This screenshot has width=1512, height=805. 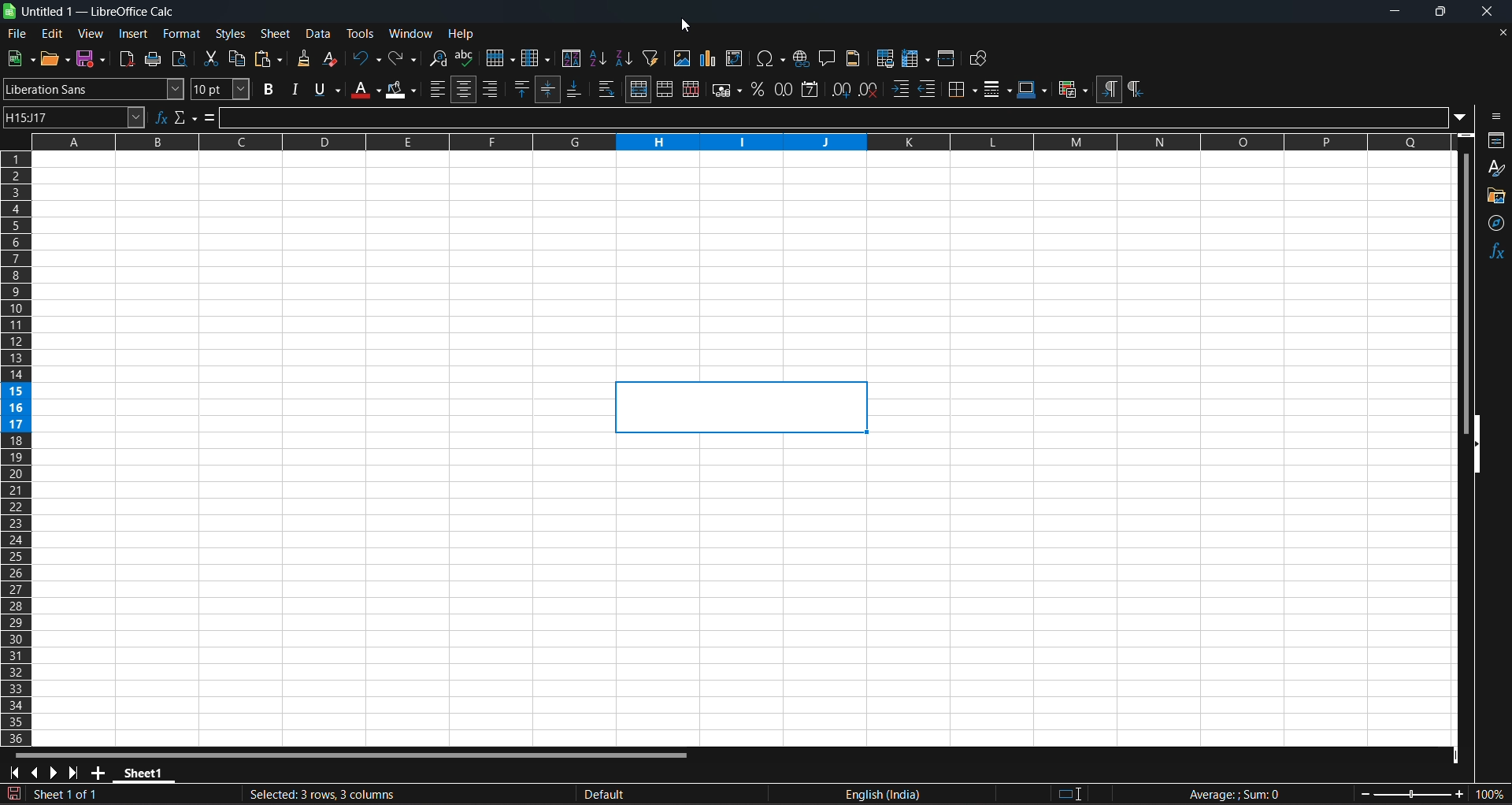 I want to click on horizontal scroll bar, so click(x=357, y=755).